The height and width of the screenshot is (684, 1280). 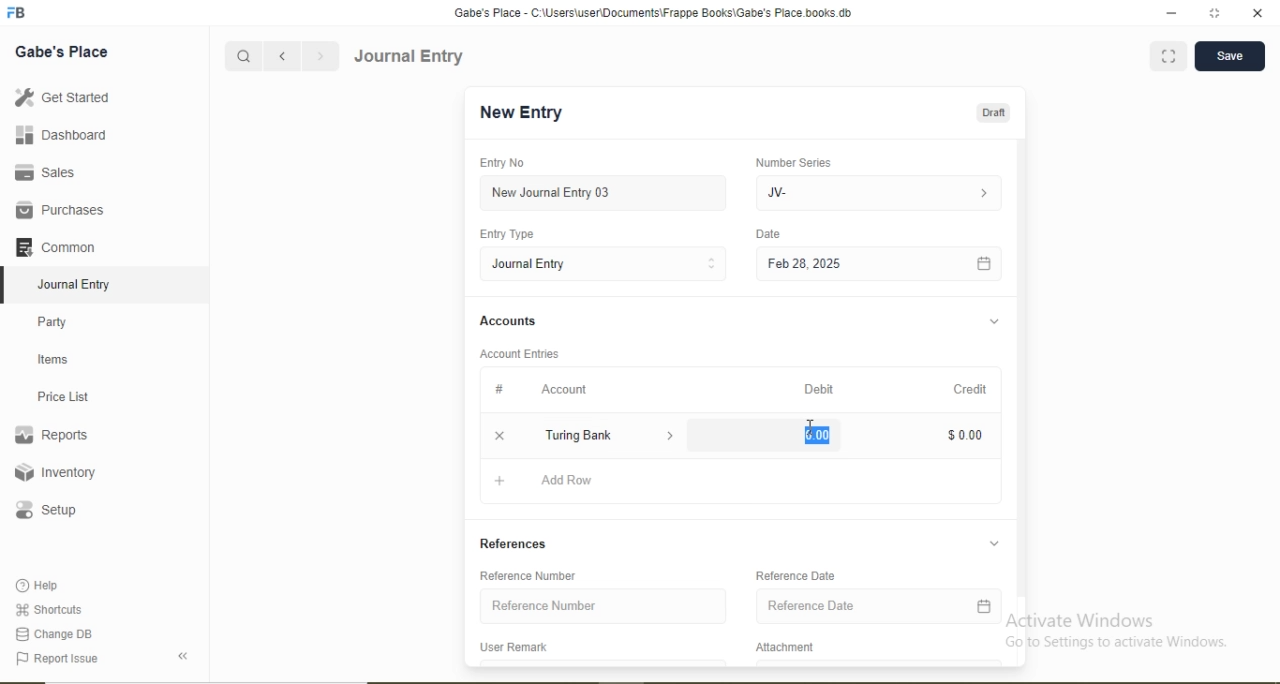 I want to click on Change DB, so click(x=52, y=635).